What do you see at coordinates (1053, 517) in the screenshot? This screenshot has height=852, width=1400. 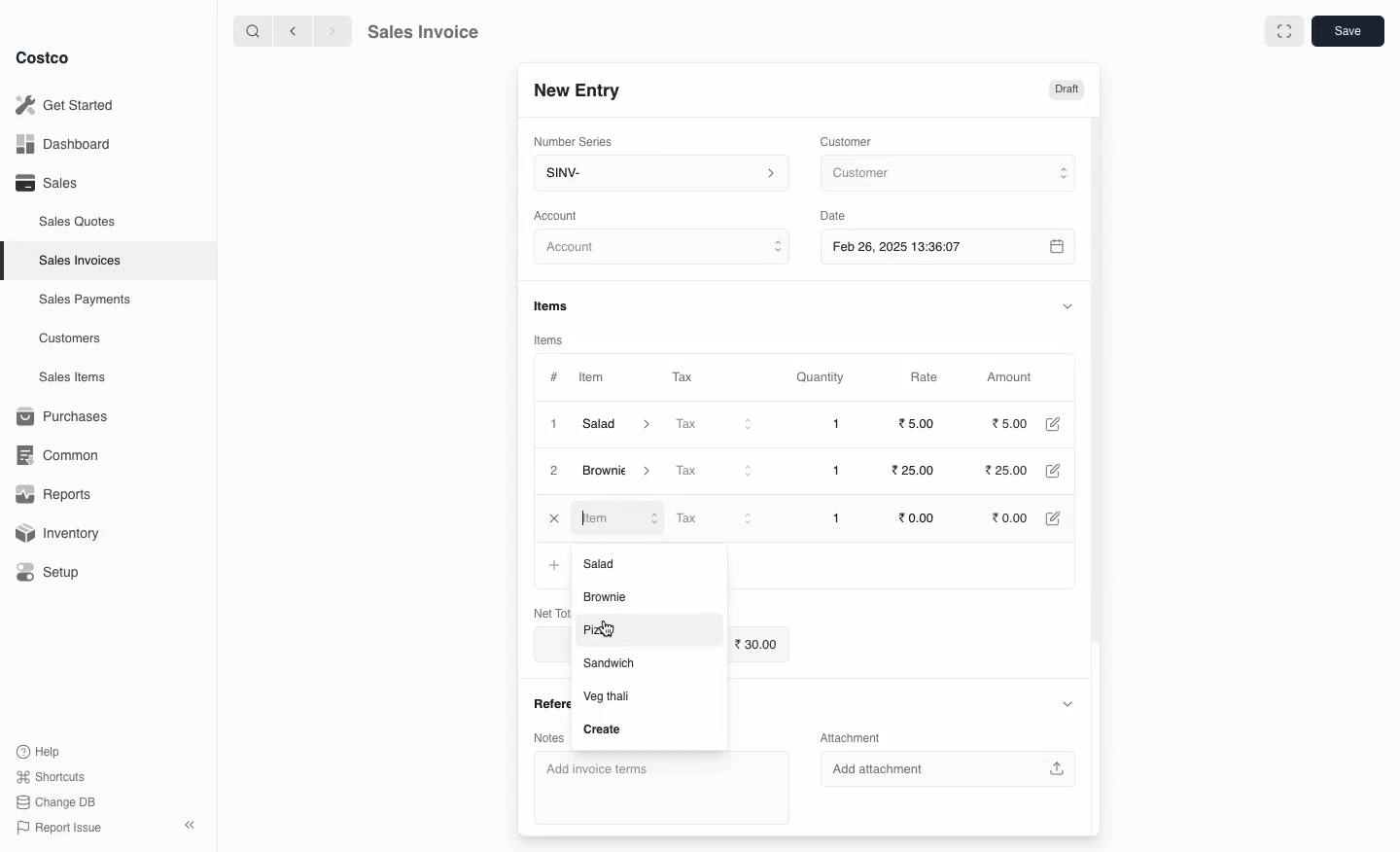 I see `Edit` at bounding box center [1053, 517].